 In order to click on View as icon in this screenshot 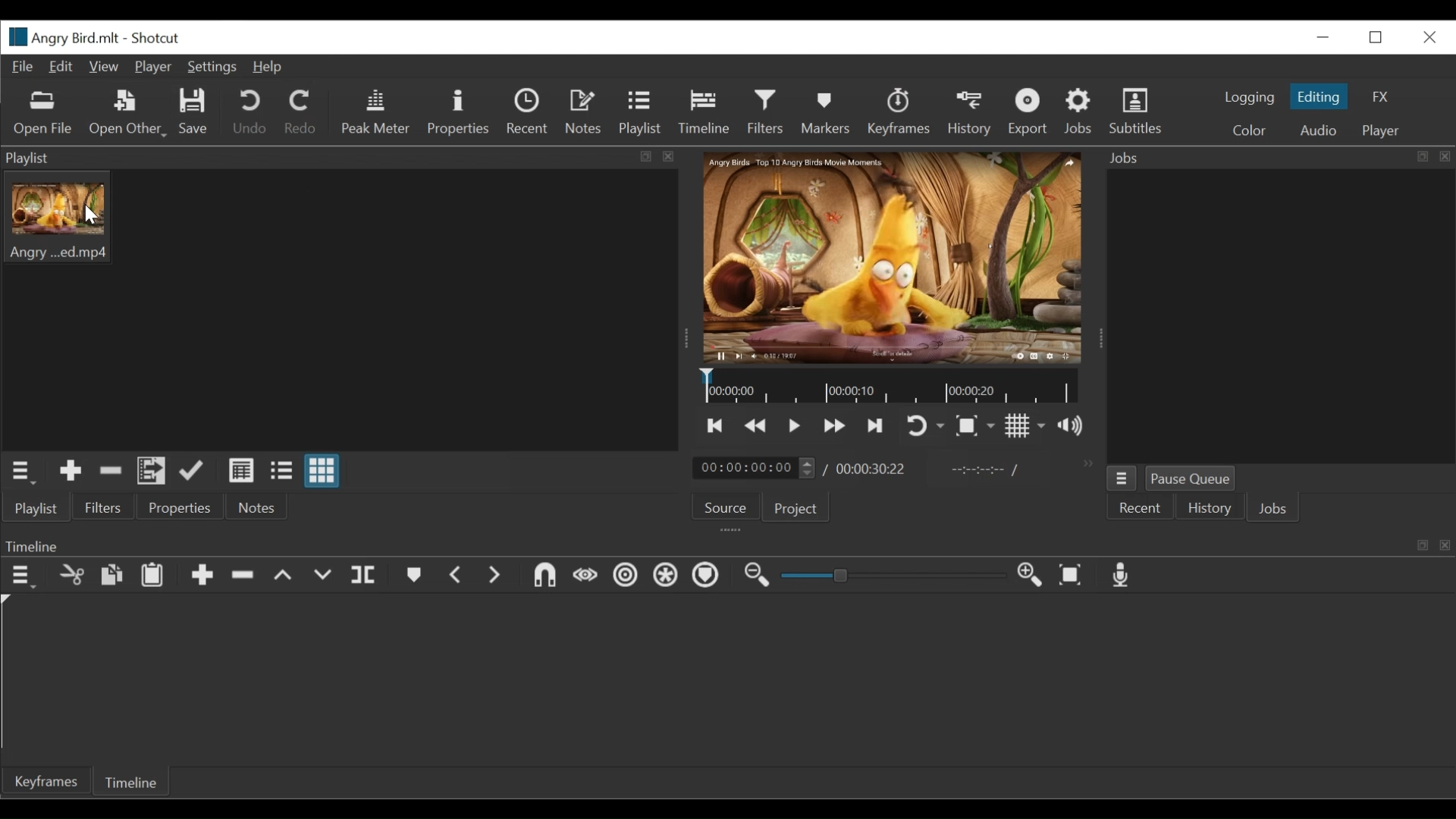, I will do `click(324, 470)`.